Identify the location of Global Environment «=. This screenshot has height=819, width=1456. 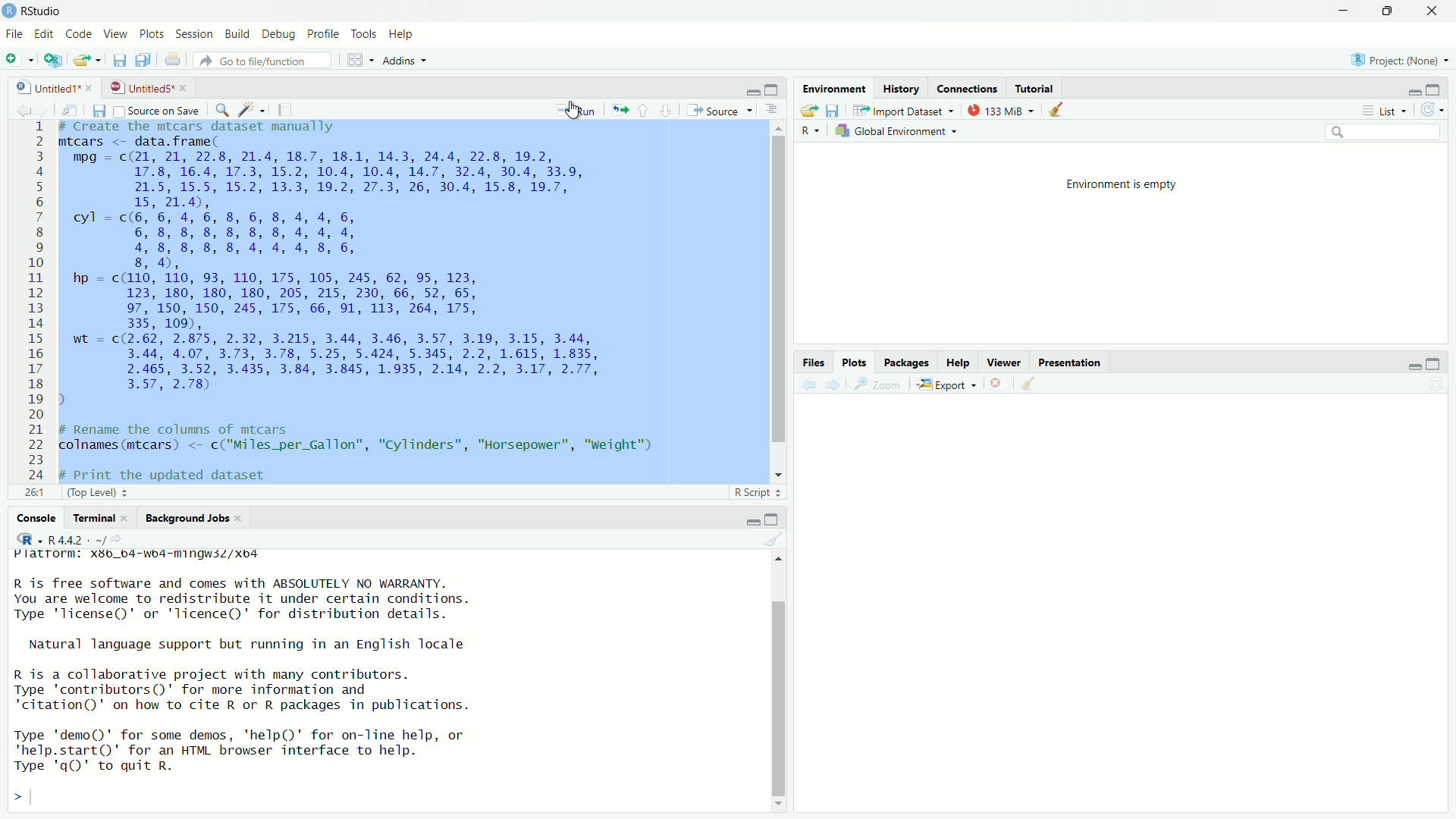
(899, 130).